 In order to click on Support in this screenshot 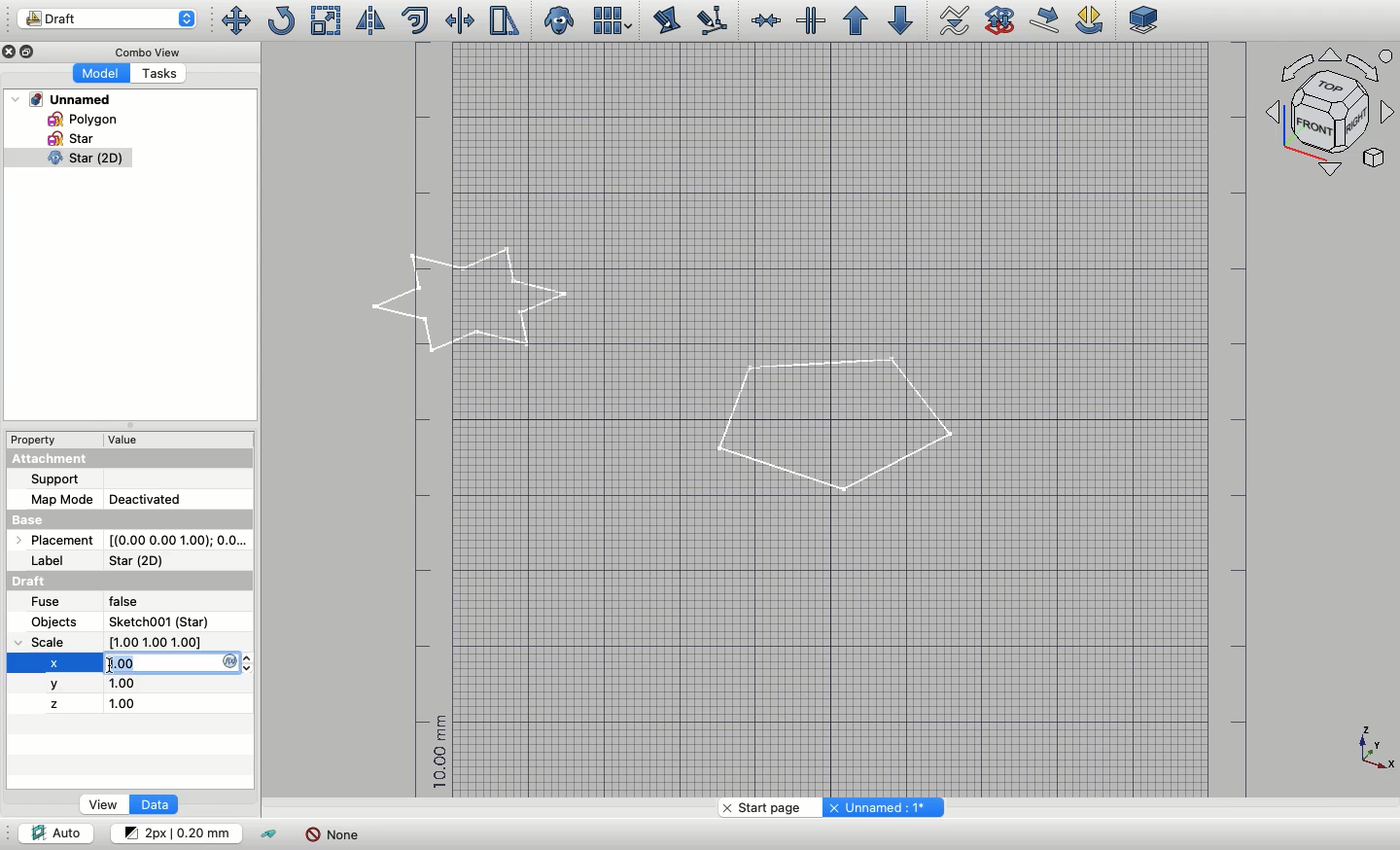, I will do `click(55, 479)`.